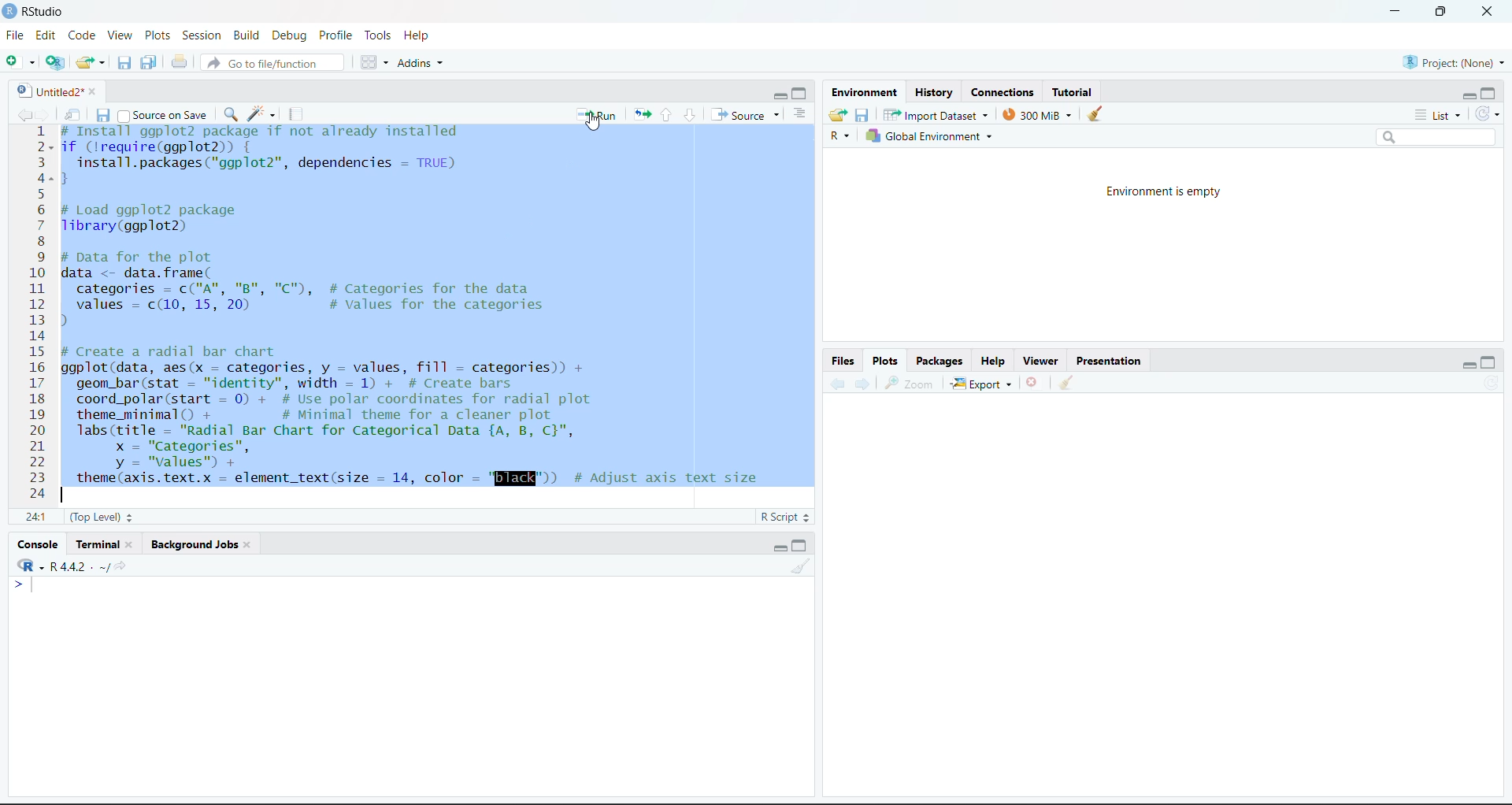 The image size is (1512, 805). What do you see at coordinates (774, 95) in the screenshot?
I see `hide r script` at bounding box center [774, 95].